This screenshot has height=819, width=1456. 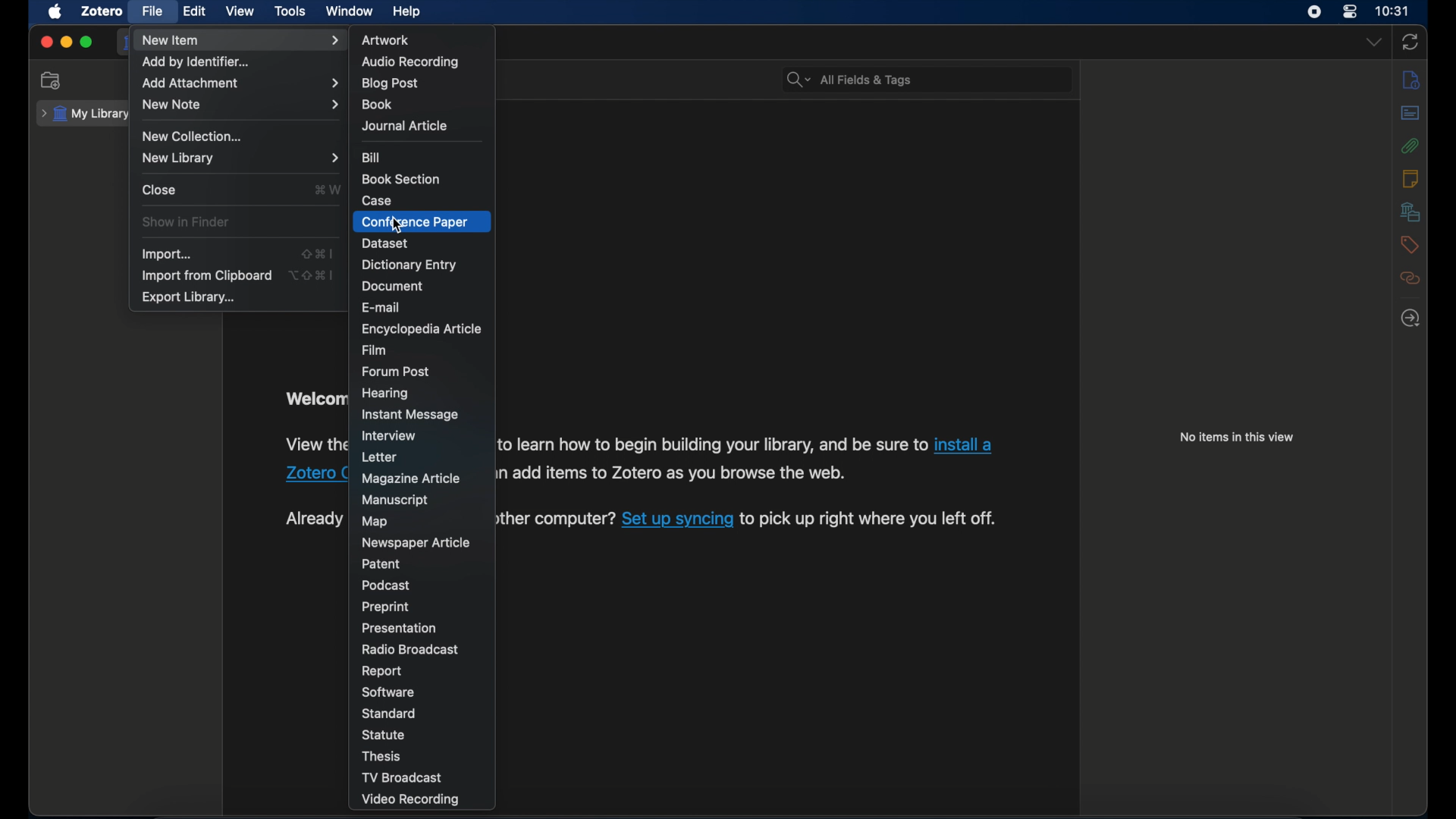 I want to click on standard, so click(x=388, y=713).